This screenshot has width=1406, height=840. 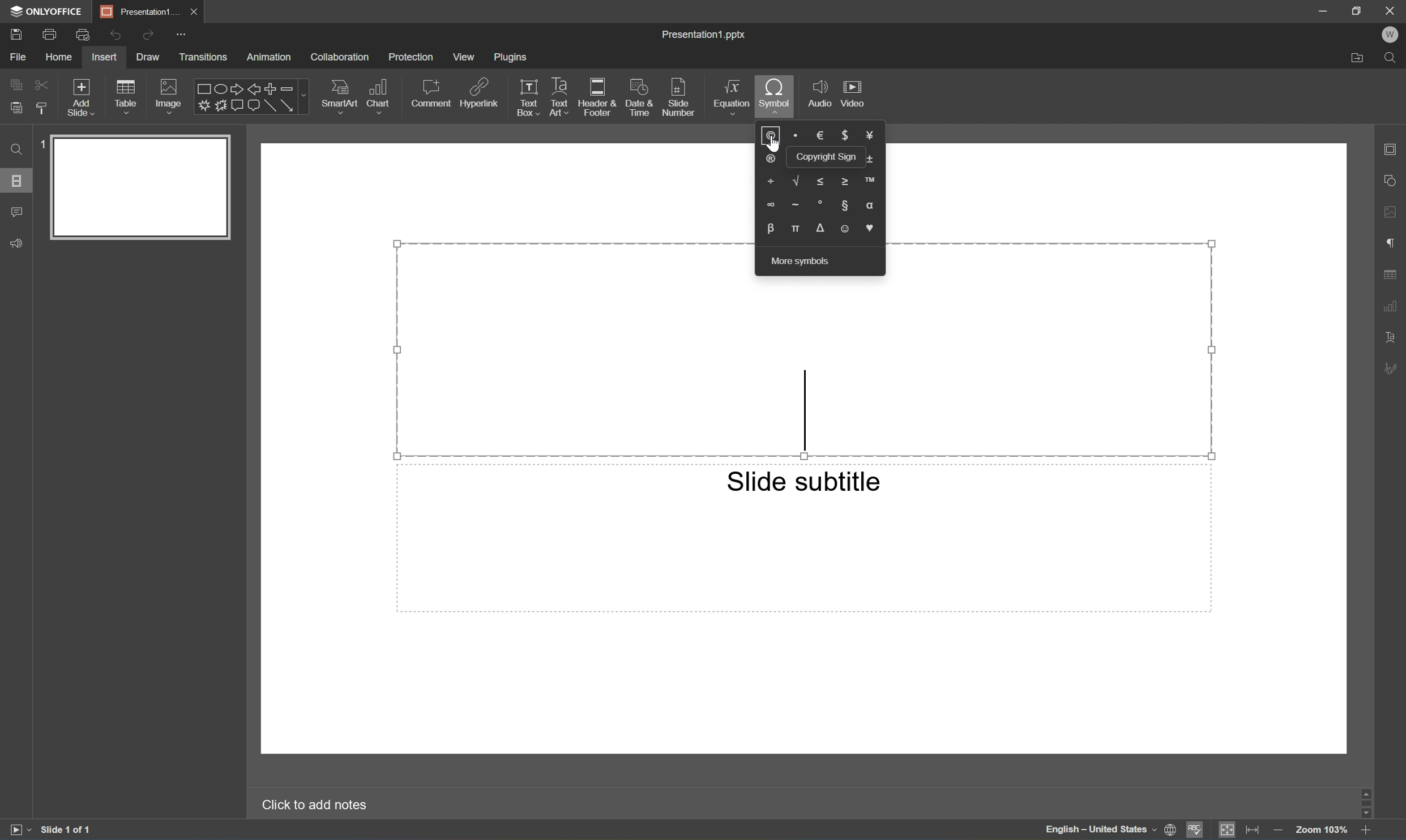 What do you see at coordinates (513, 57) in the screenshot?
I see `Plugins` at bounding box center [513, 57].